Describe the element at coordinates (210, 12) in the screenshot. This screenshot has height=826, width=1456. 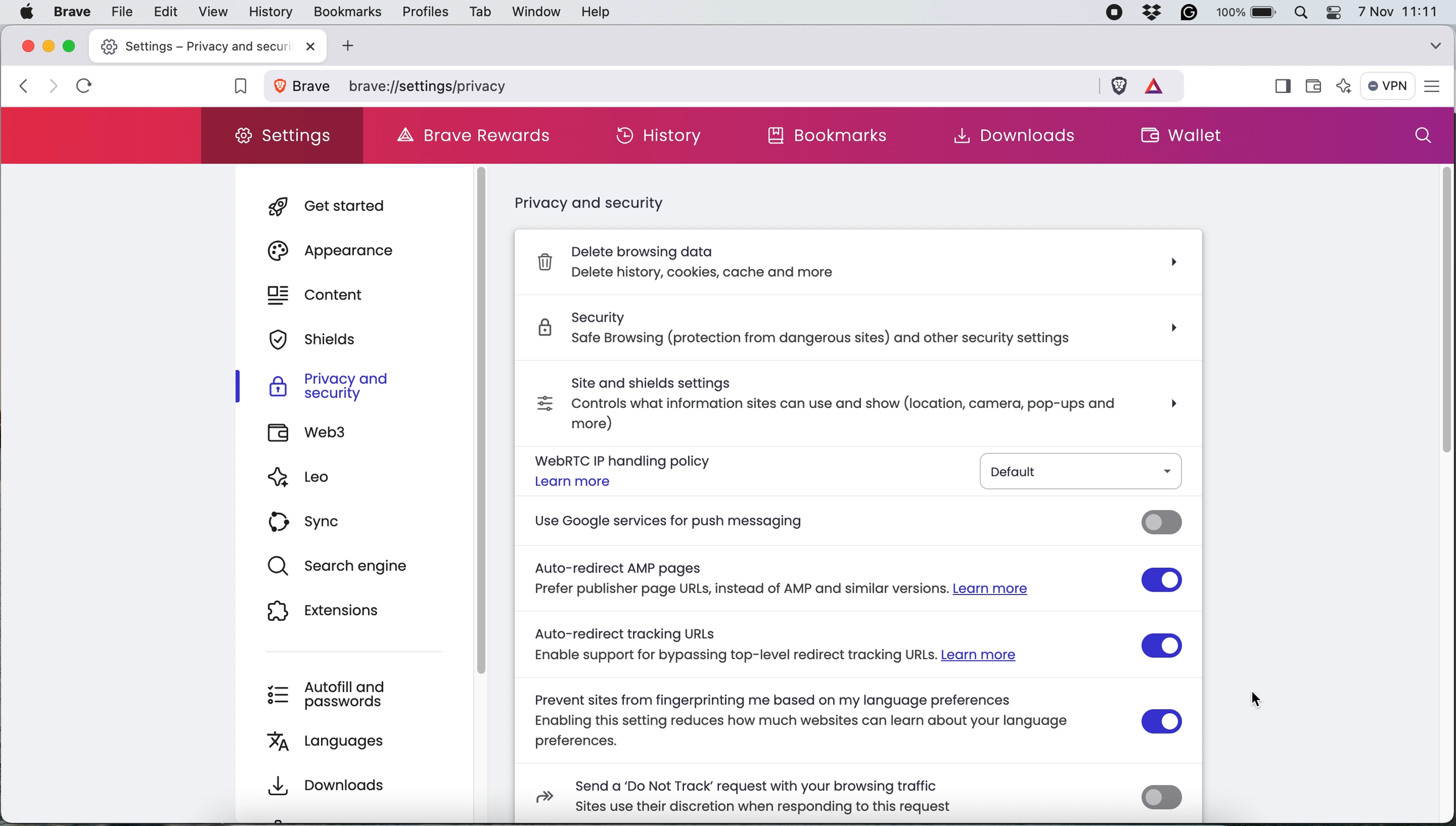
I see `view` at that location.